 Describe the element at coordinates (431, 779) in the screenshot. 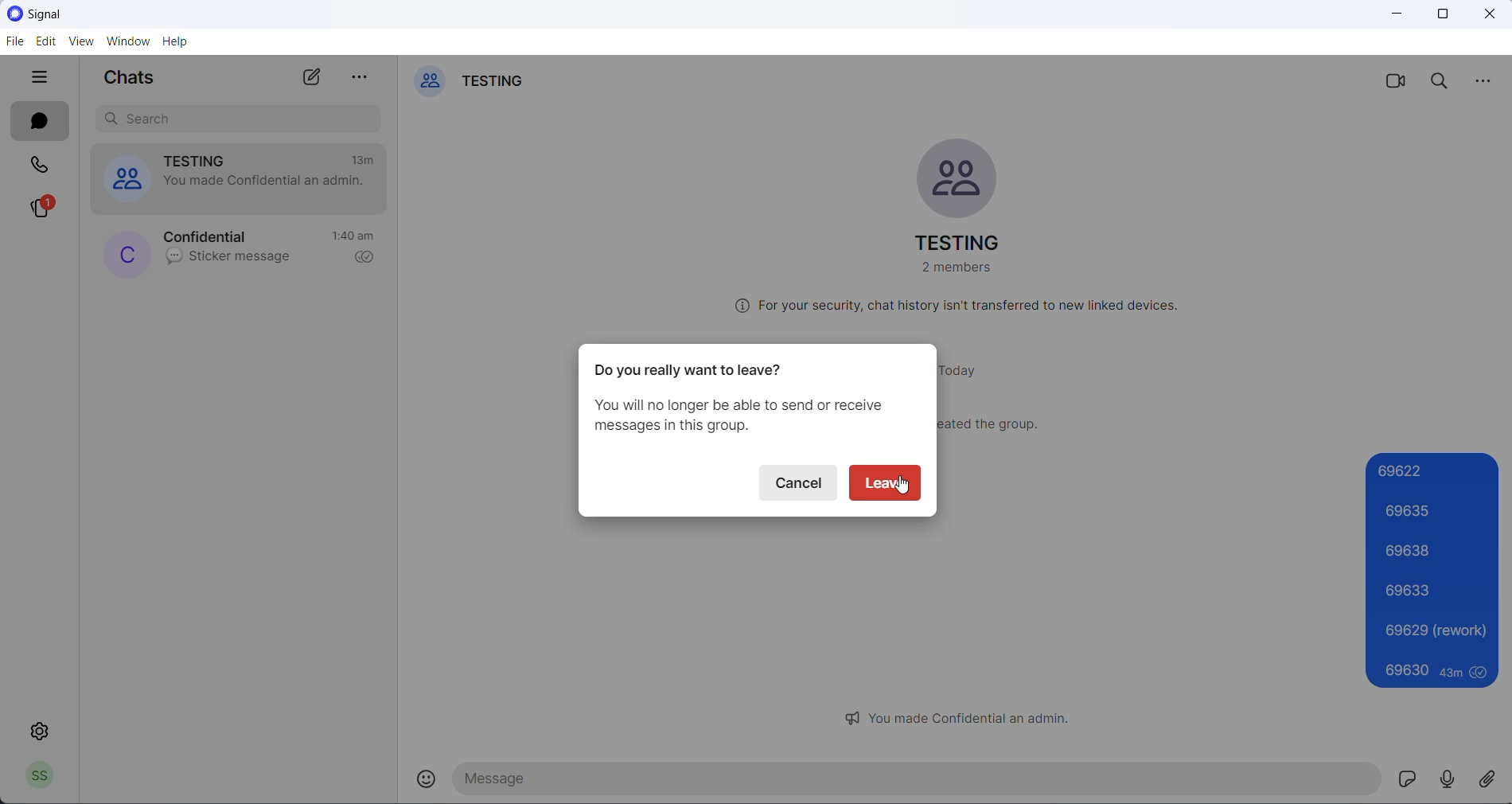

I see `emojis` at that location.